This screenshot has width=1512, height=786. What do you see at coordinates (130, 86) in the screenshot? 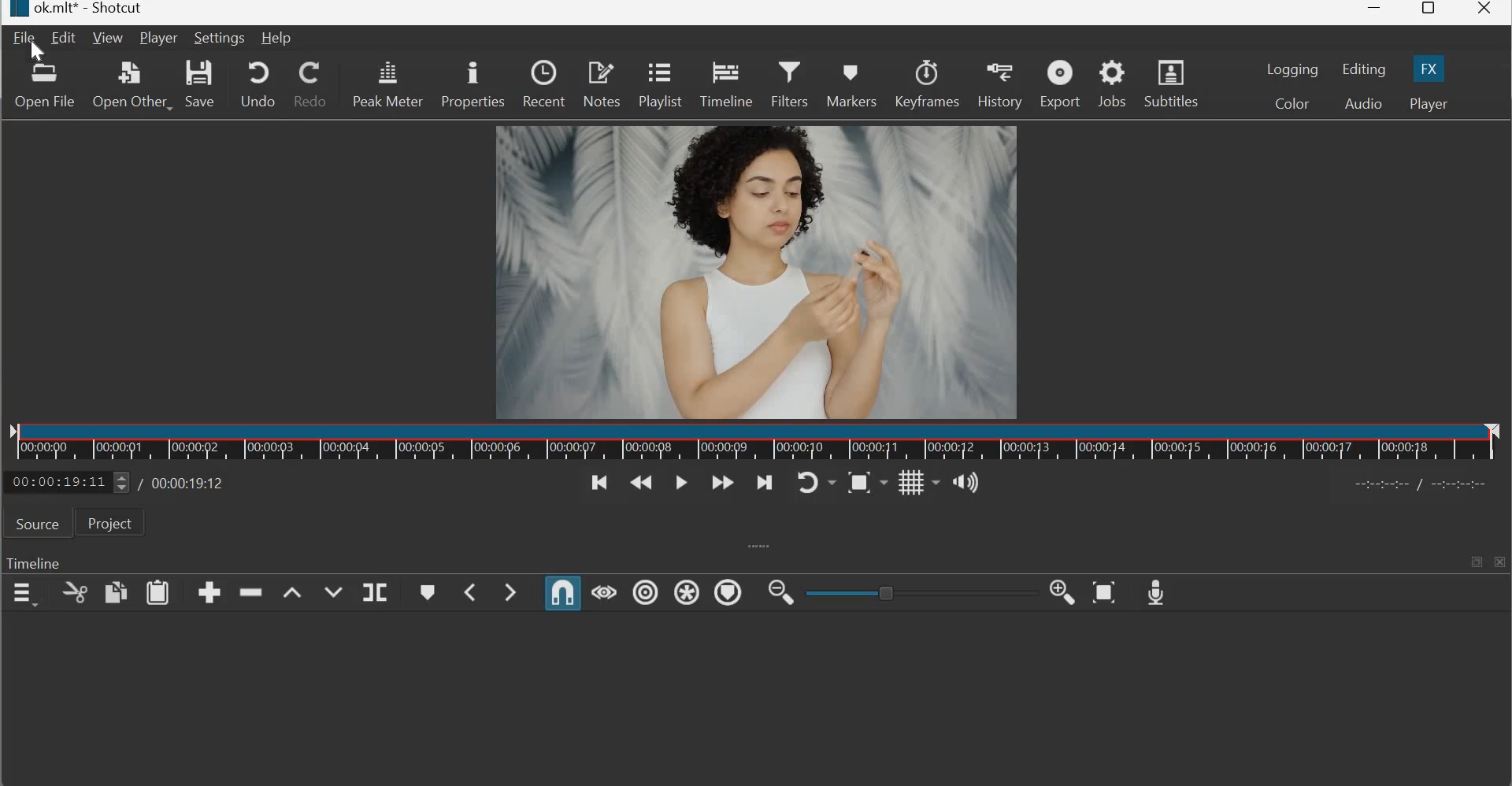
I see `Open other` at bounding box center [130, 86].